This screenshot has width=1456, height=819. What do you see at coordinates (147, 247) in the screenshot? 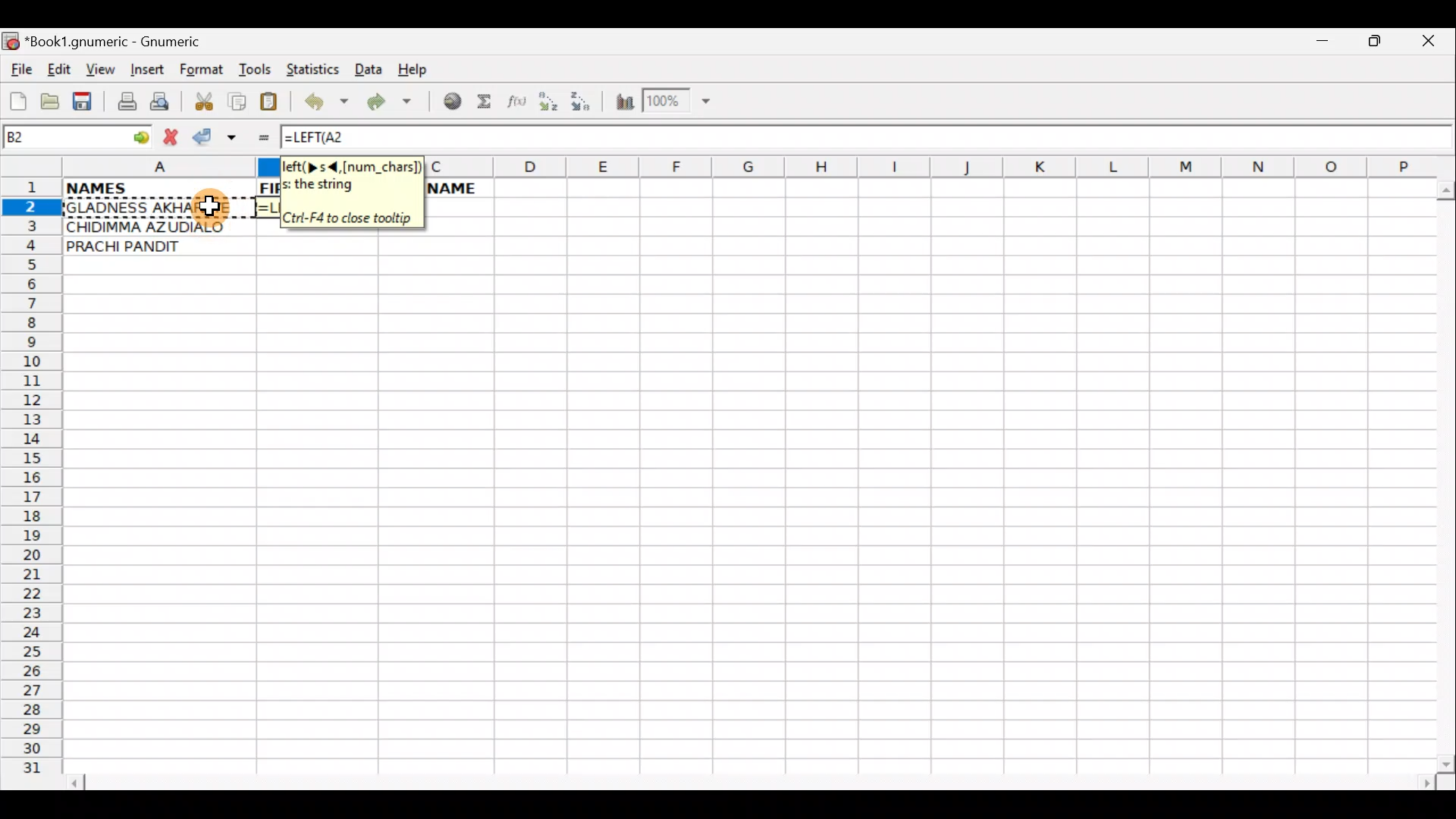
I see `PRACHI PANDIT` at bounding box center [147, 247].